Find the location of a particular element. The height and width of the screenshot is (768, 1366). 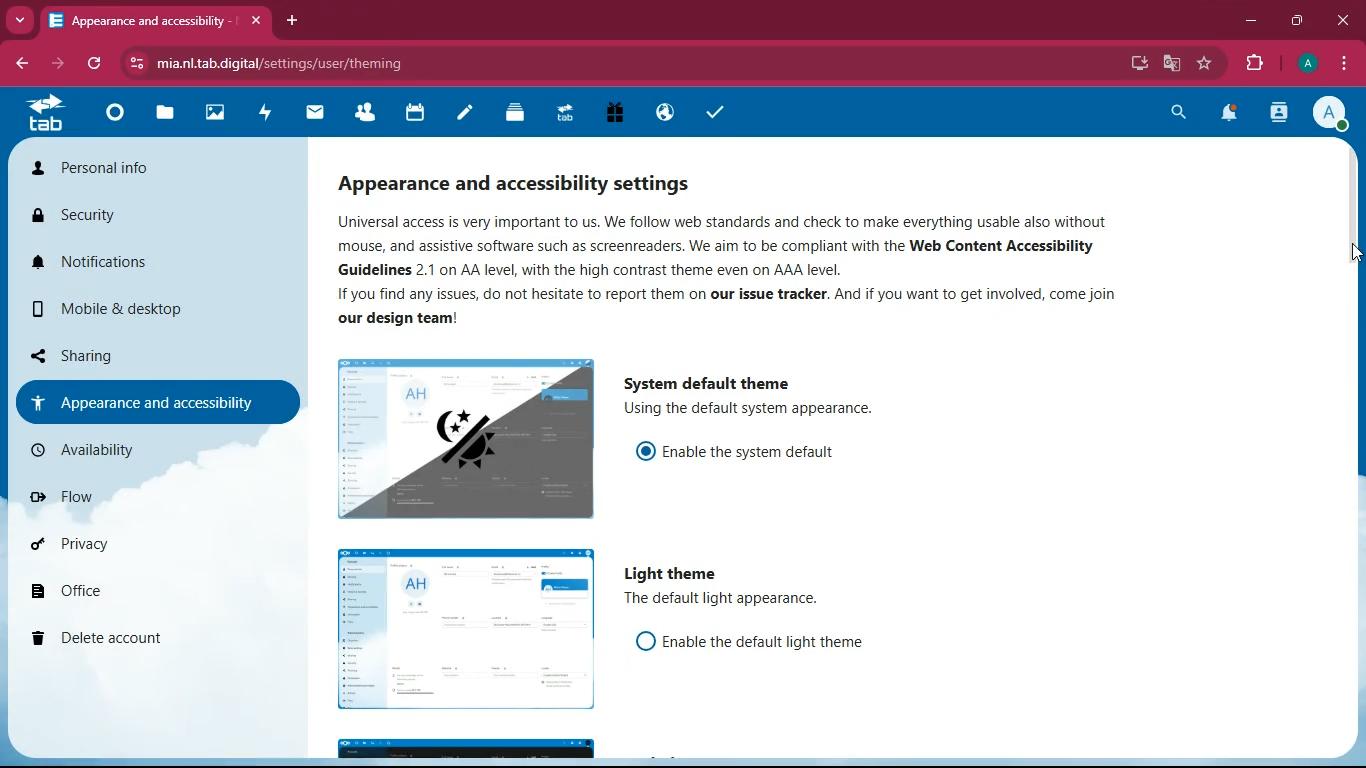

mail is located at coordinates (320, 115).